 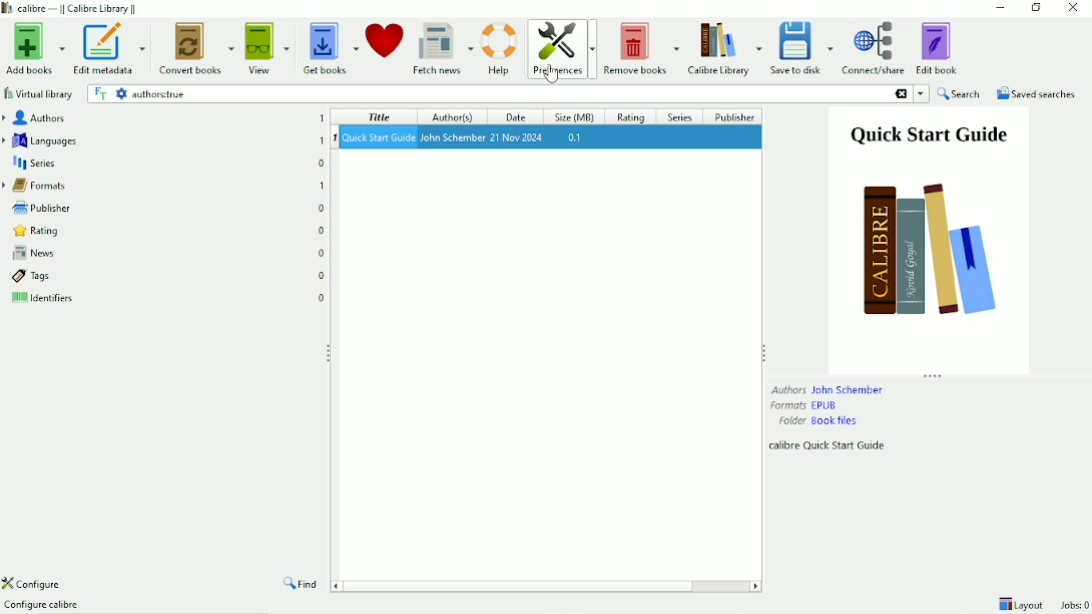 I want to click on Folder, so click(x=790, y=422).